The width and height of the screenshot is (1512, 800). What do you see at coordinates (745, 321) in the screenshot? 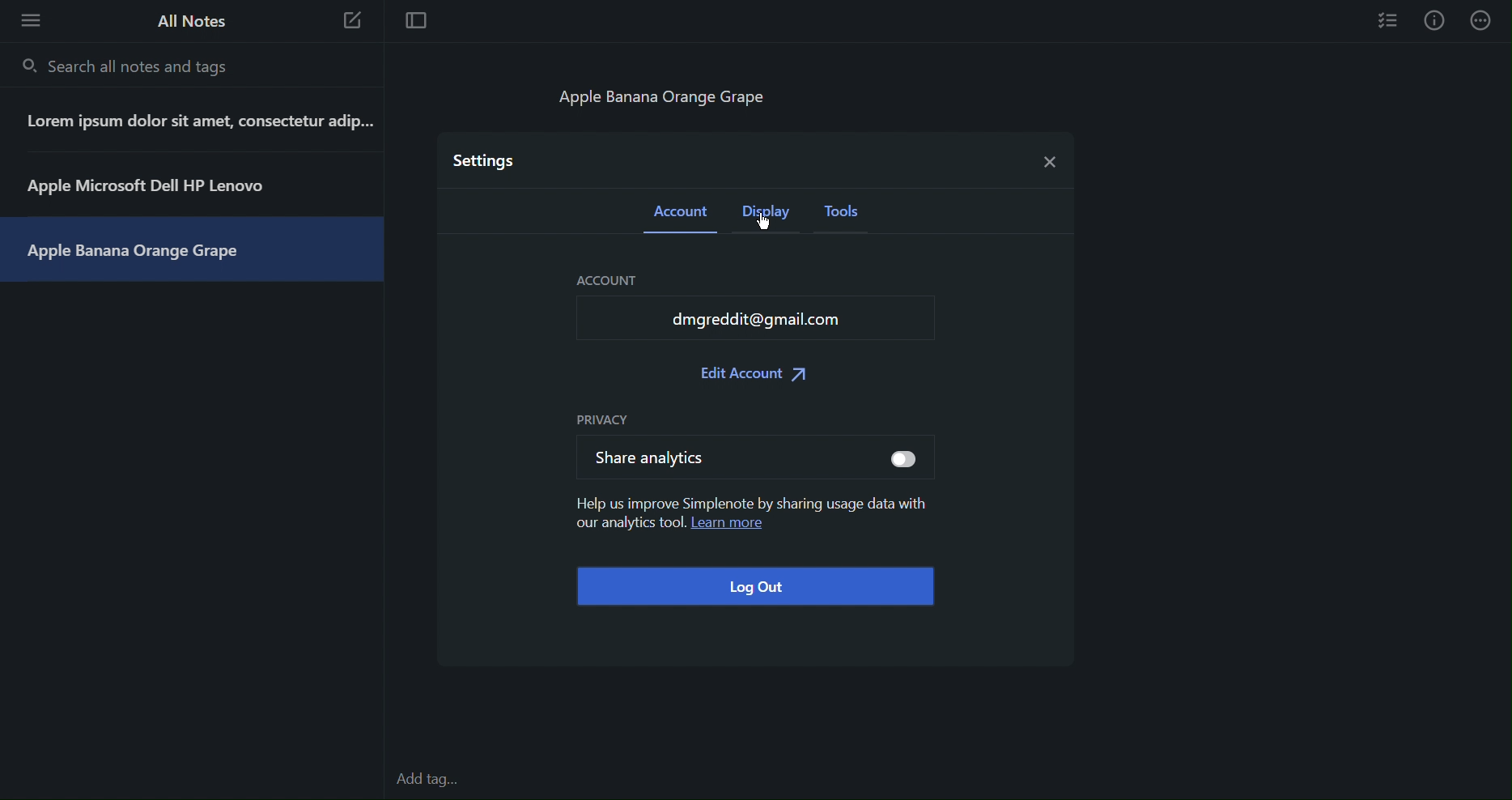
I see `dmgreddit@gmail.com` at bounding box center [745, 321].